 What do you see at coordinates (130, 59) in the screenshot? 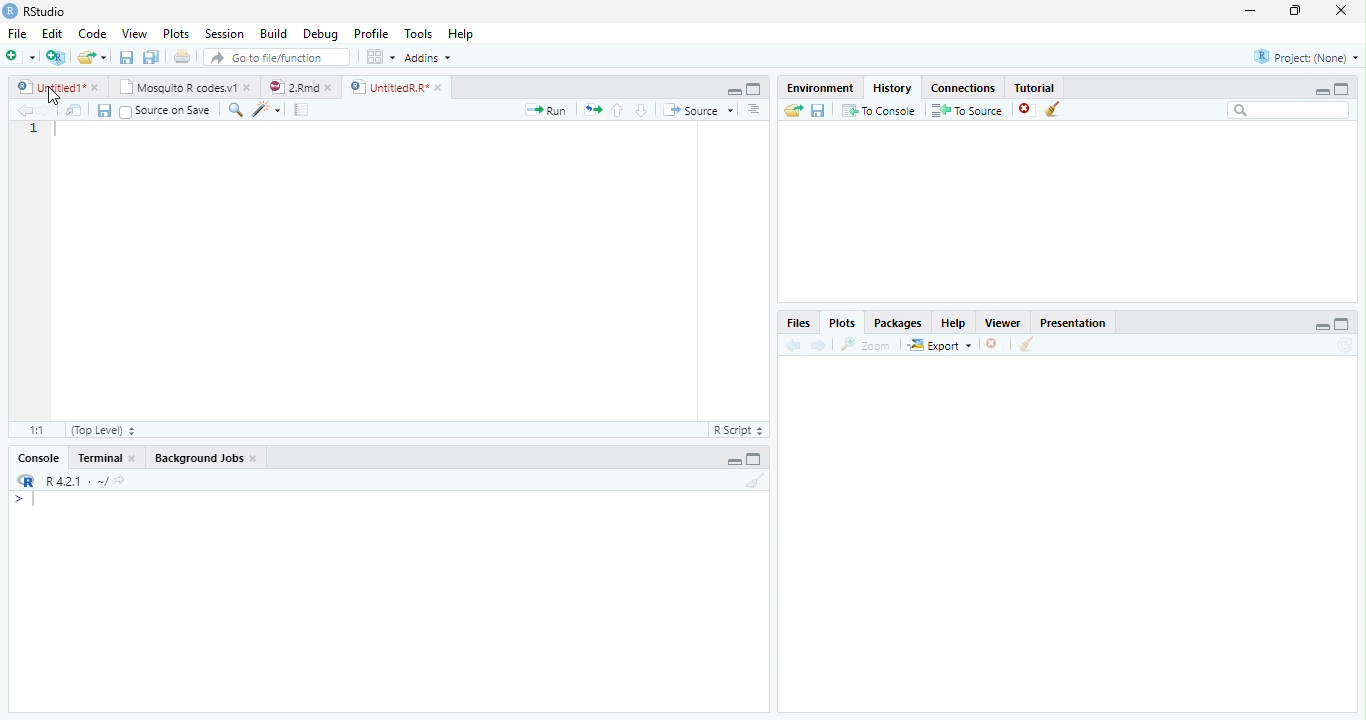
I see `Save ` at bounding box center [130, 59].